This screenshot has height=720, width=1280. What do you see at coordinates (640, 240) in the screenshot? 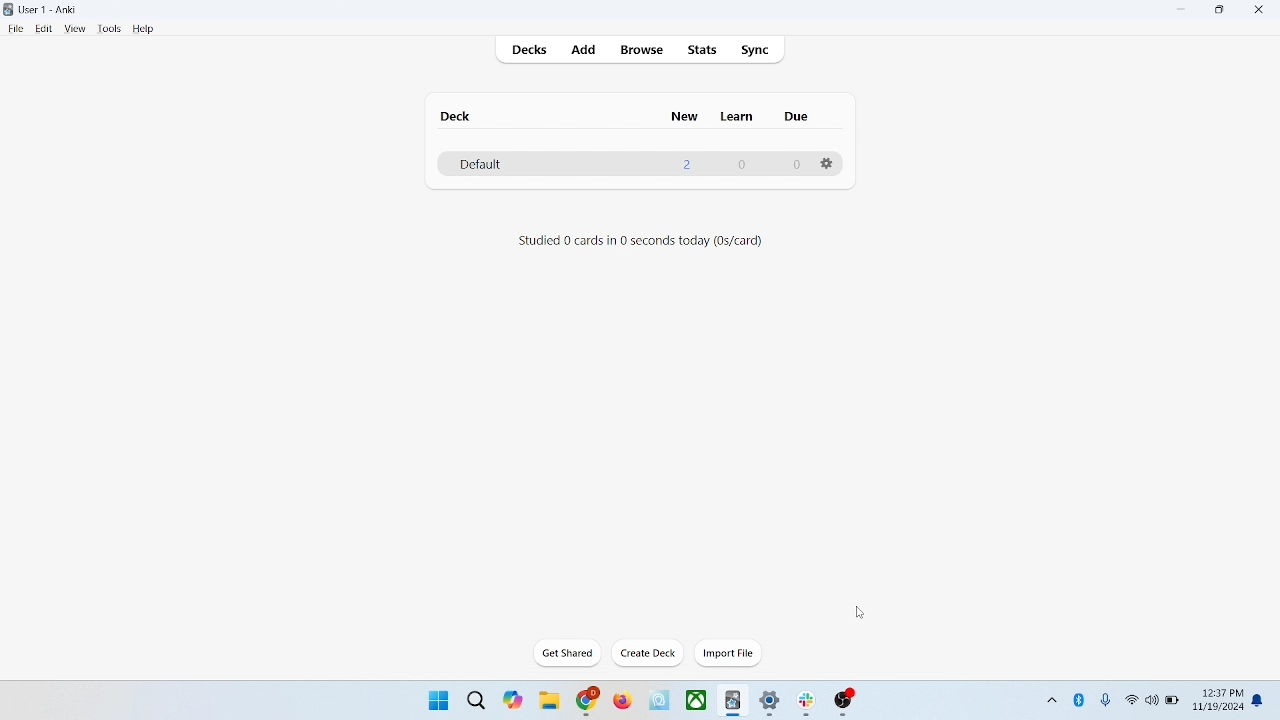
I see `‘Studied 0 cards in 0 seconds today (0s/card)` at bounding box center [640, 240].